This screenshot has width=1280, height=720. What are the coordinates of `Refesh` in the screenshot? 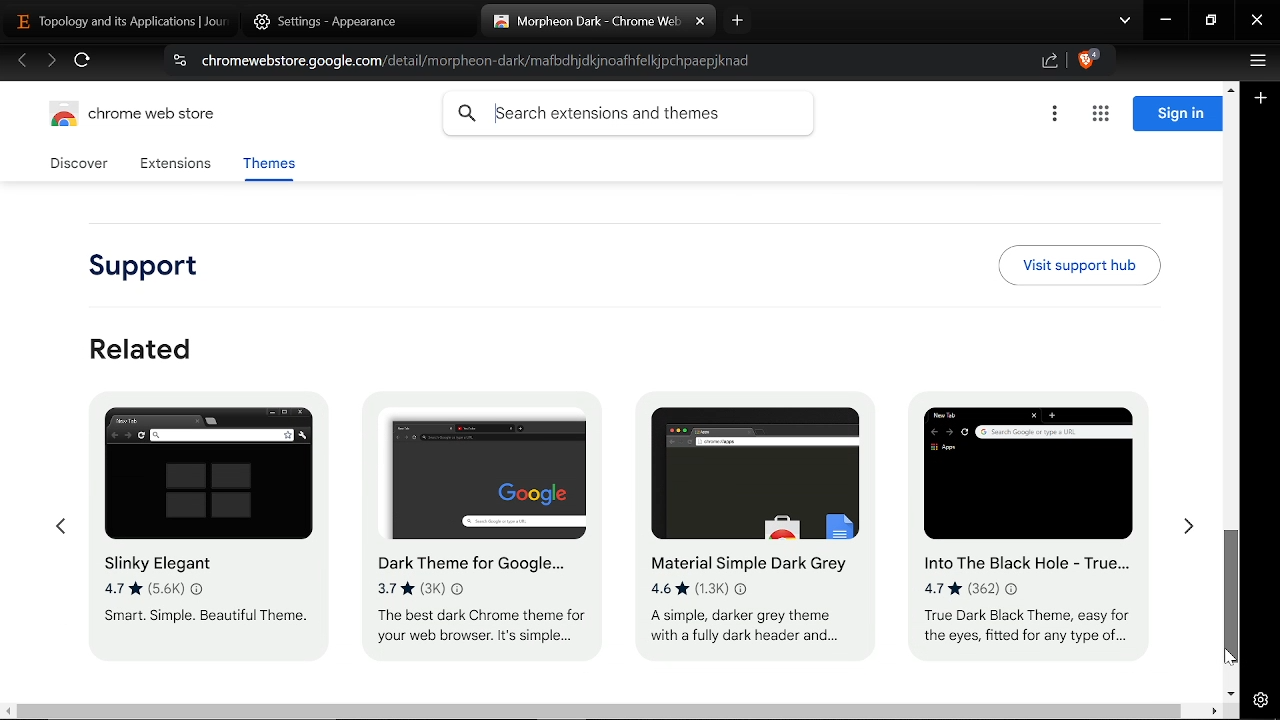 It's located at (83, 63).